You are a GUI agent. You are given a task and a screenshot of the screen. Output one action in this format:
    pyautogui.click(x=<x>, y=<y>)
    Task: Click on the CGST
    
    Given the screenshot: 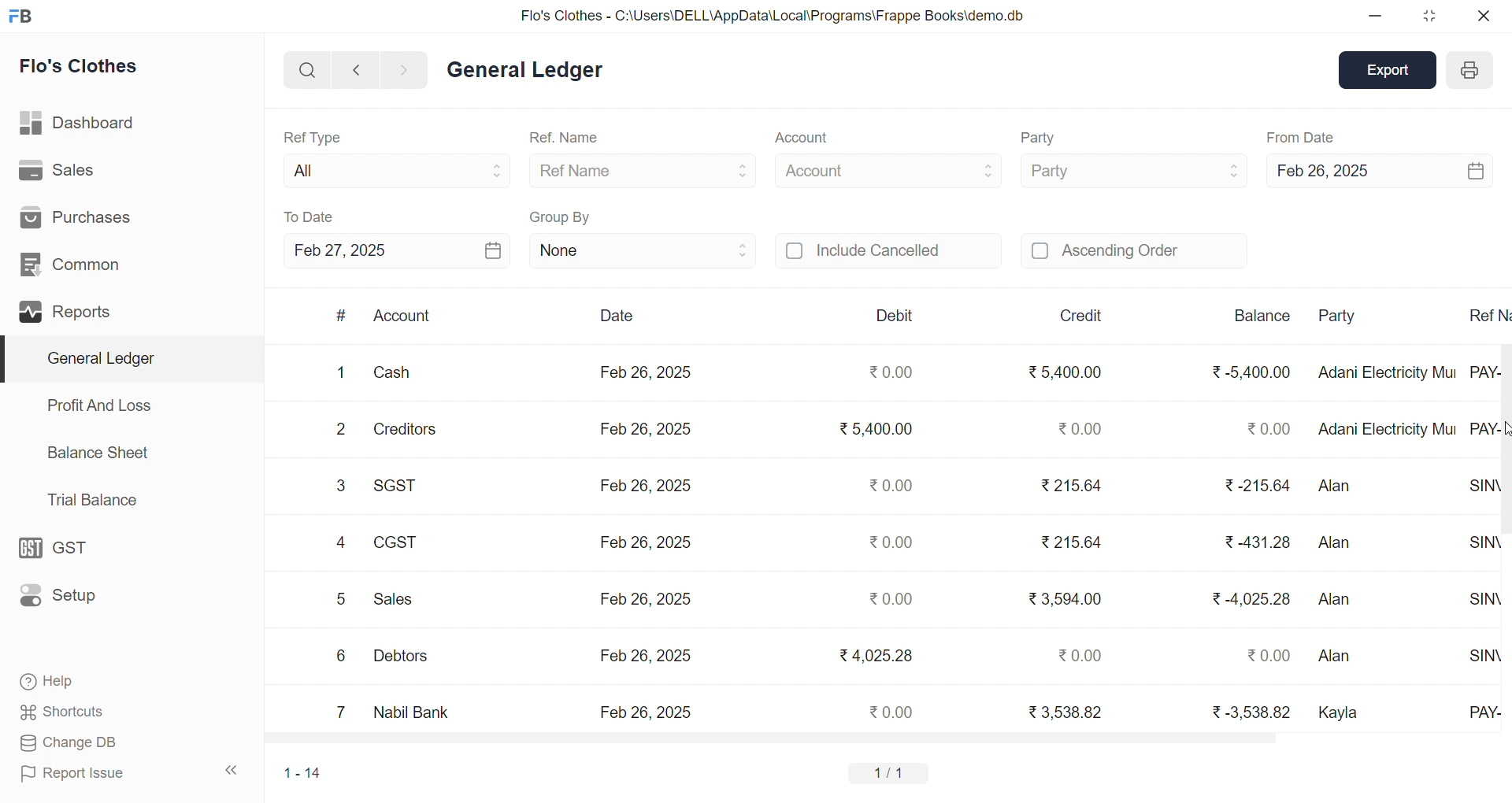 What is the action you would take?
    pyautogui.click(x=395, y=542)
    